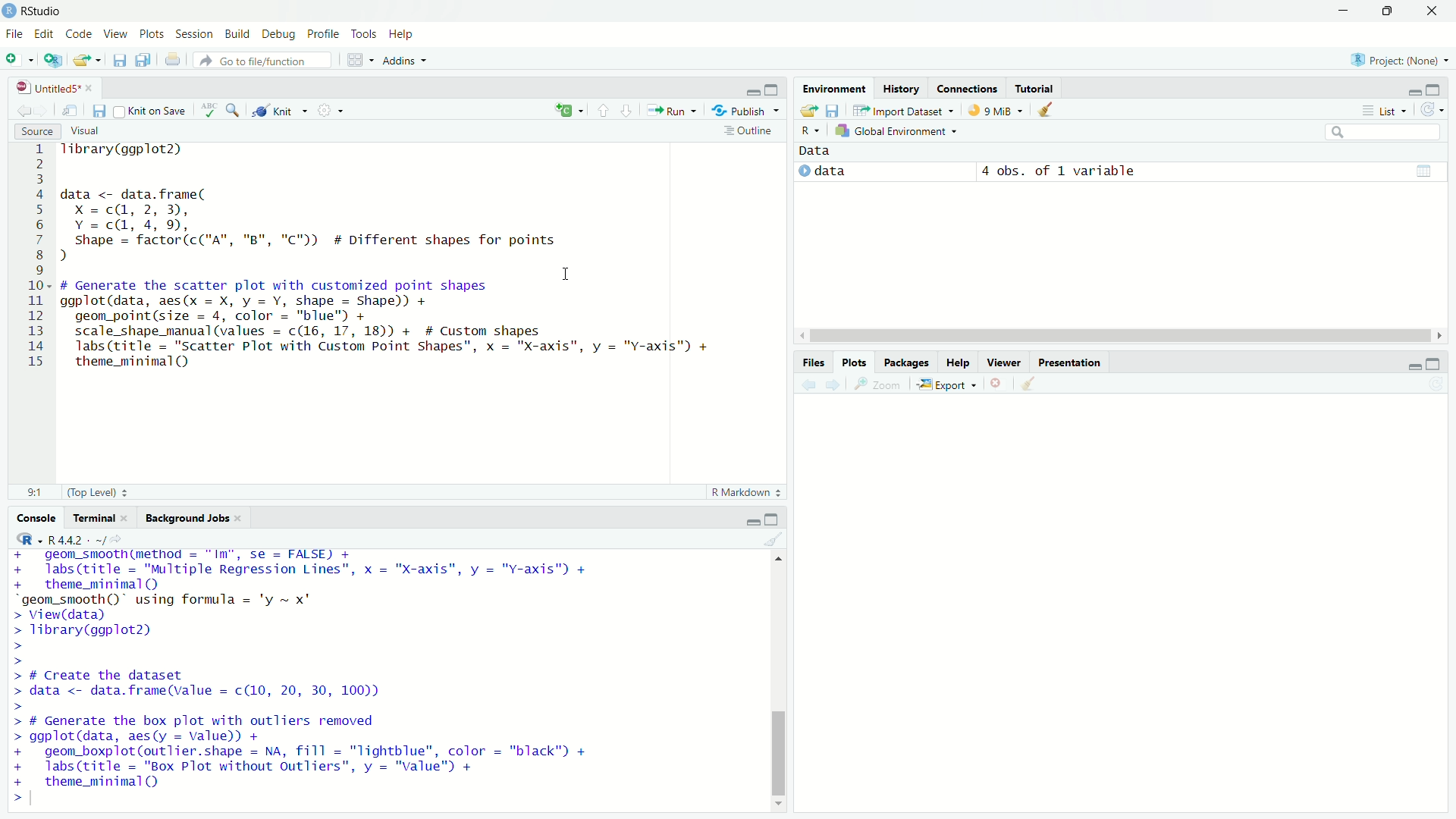 The height and width of the screenshot is (819, 1456). Describe the element at coordinates (813, 362) in the screenshot. I see `Files` at that location.